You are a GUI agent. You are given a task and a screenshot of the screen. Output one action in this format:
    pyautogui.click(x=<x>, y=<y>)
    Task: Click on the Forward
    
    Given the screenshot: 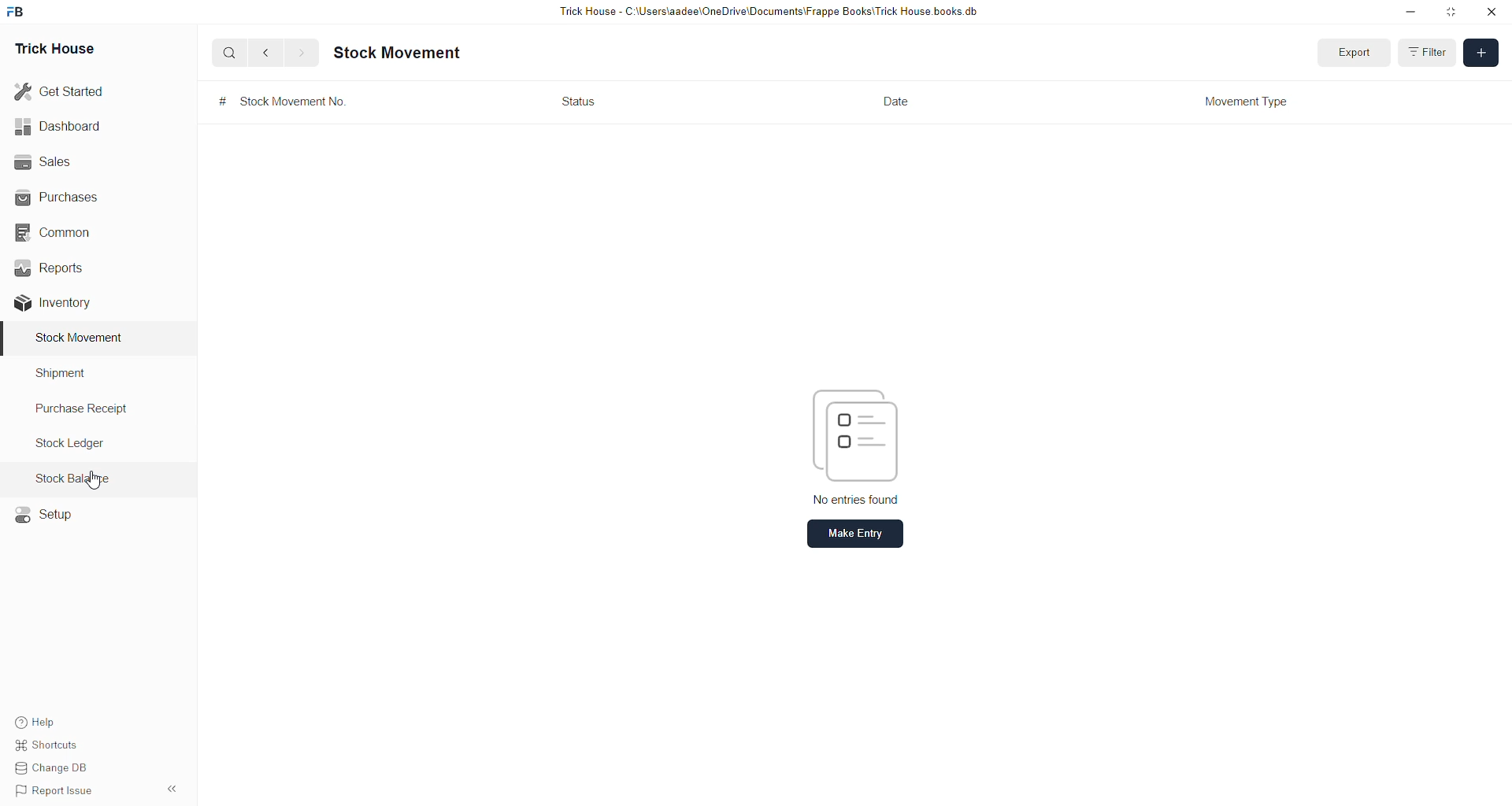 What is the action you would take?
    pyautogui.click(x=304, y=54)
    